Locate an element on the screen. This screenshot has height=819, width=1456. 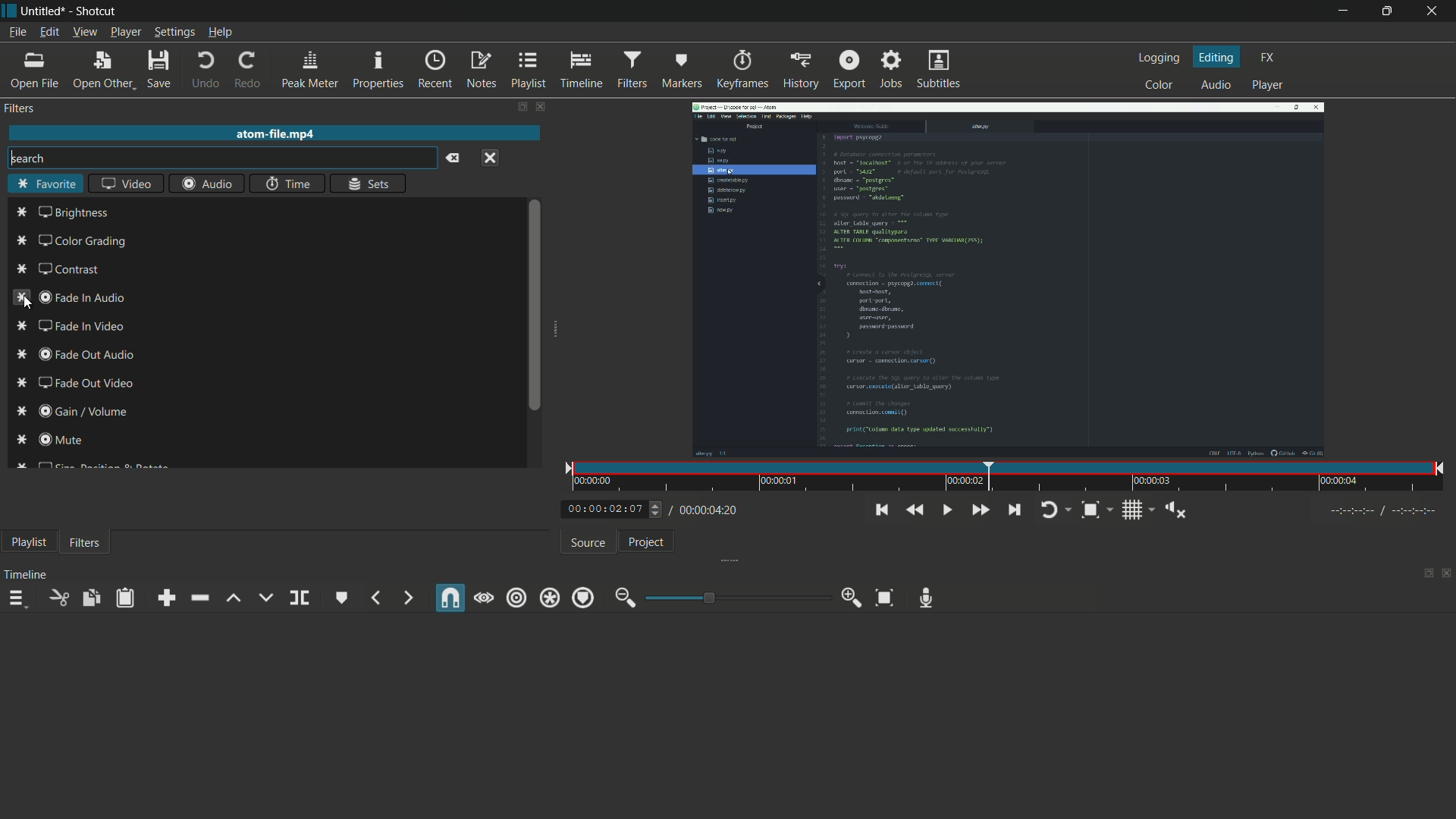
close filters is located at coordinates (545, 108).